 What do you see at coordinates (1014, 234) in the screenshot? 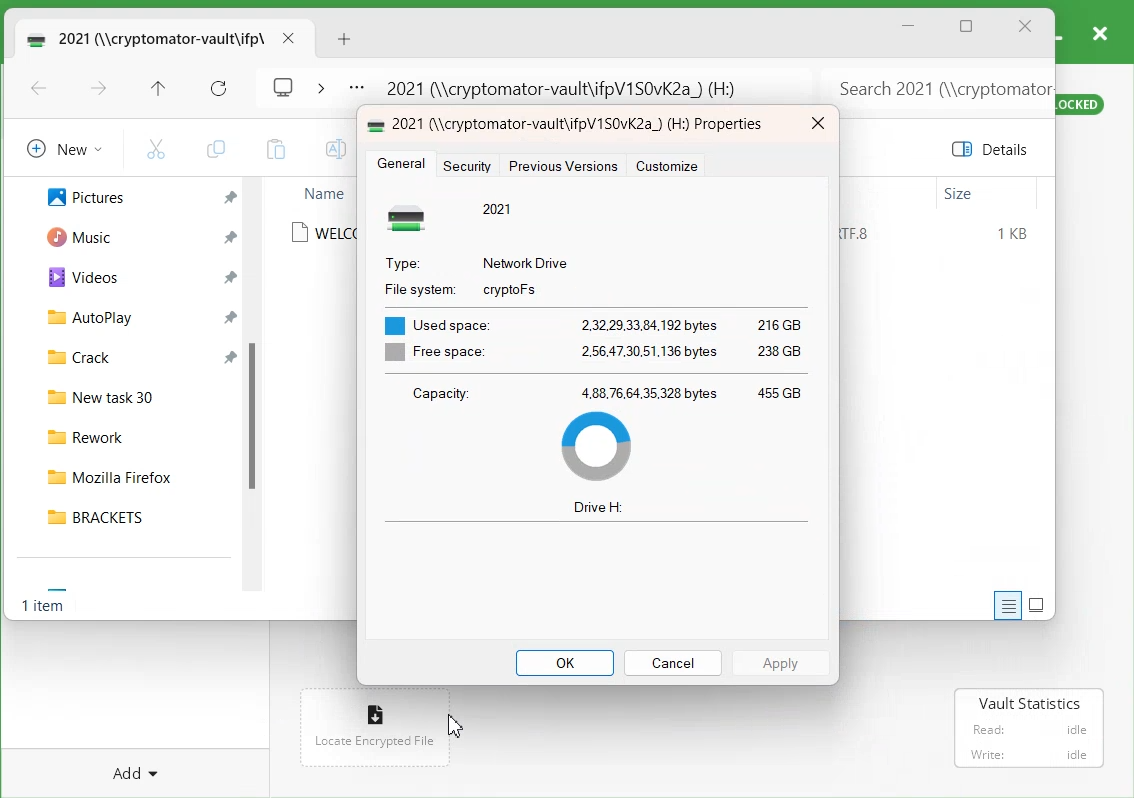
I see `1 KB` at bounding box center [1014, 234].